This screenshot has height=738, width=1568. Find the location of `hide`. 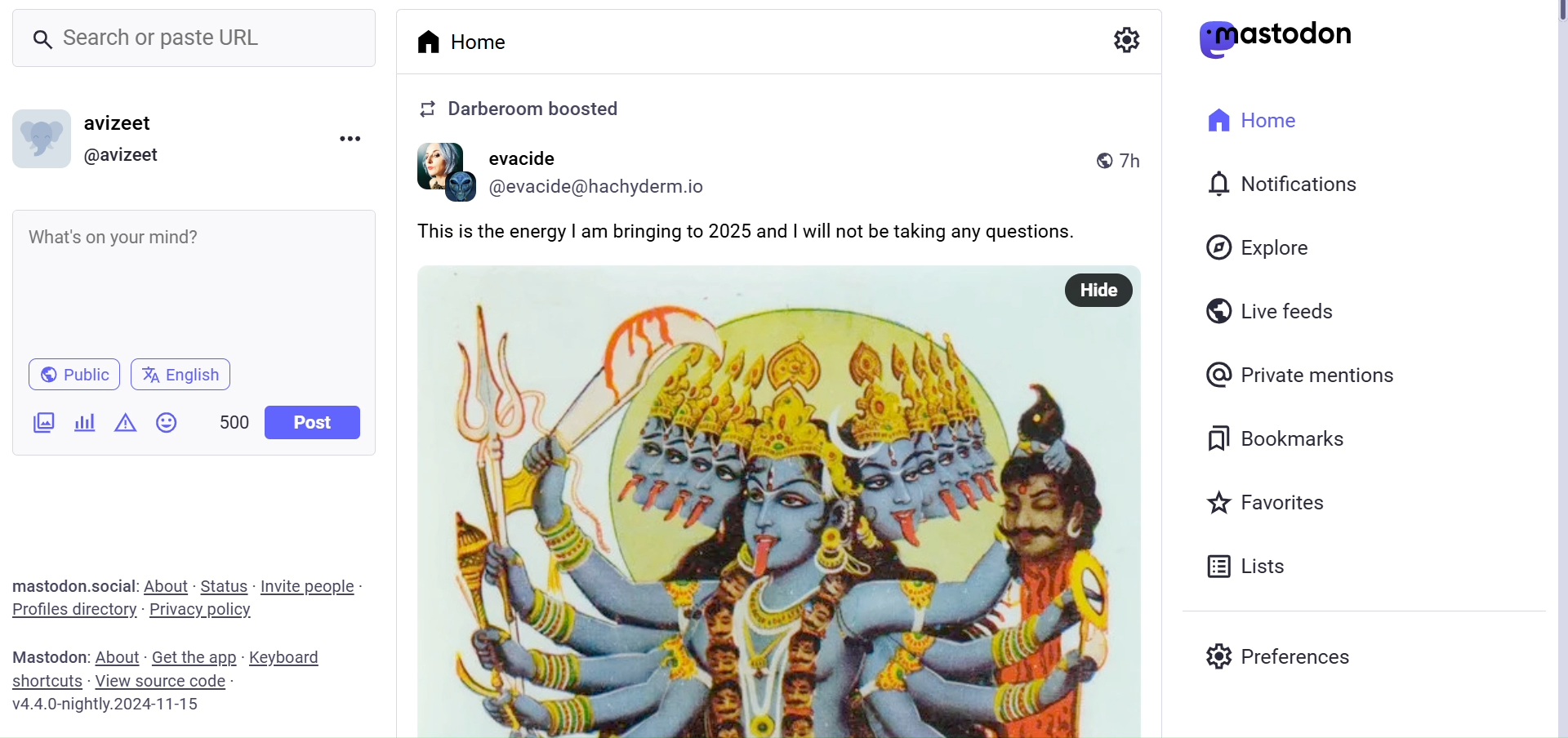

hide is located at coordinates (1095, 288).